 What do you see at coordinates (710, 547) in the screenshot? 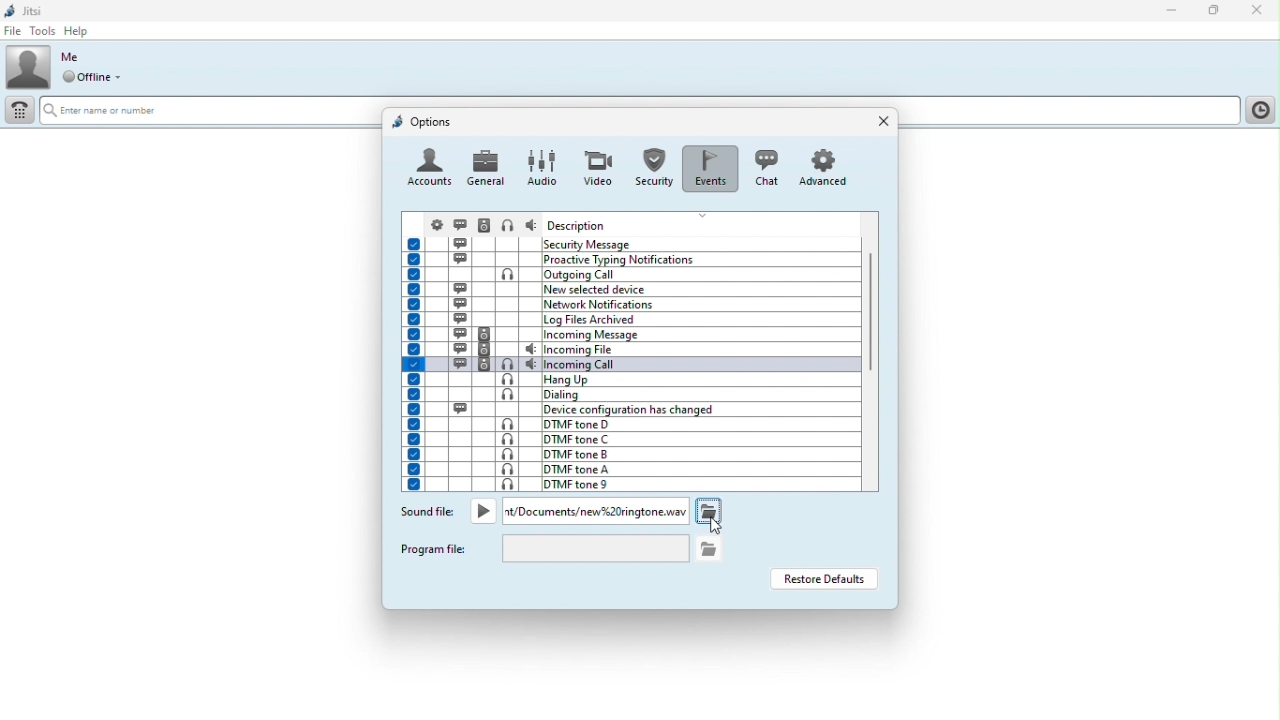
I see `open folder` at bounding box center [710, 547].